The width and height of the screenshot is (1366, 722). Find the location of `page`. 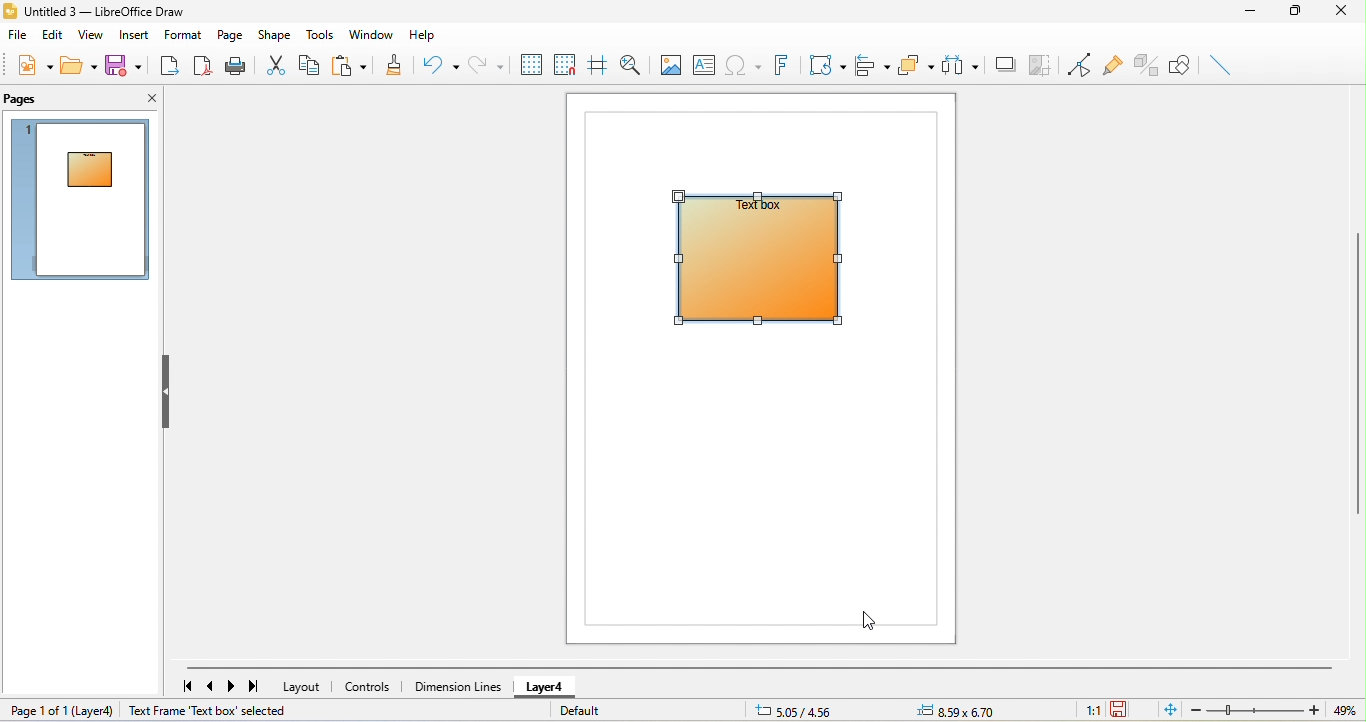

page is located at coordinates (228, 34).